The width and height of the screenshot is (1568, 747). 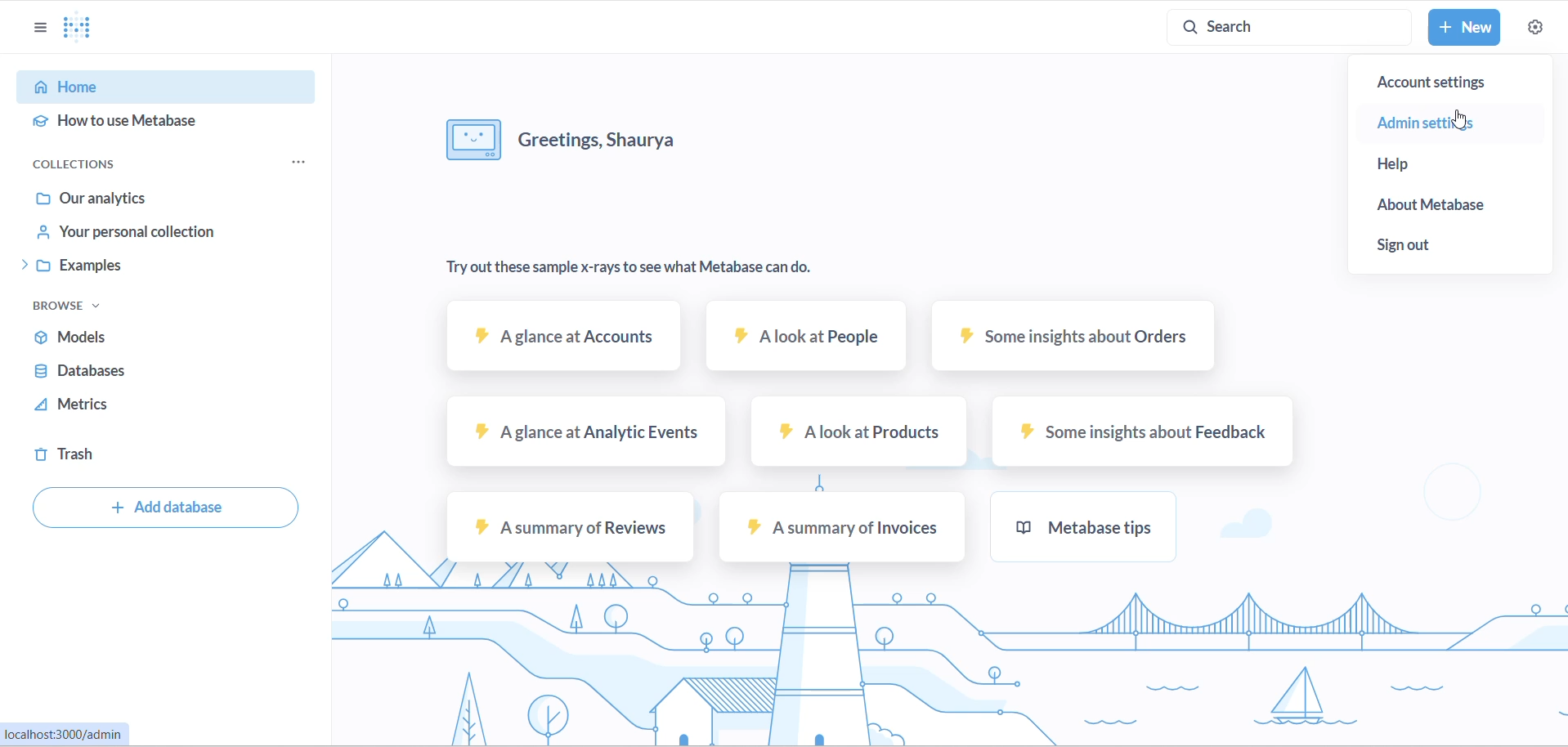 I want to click on new, so click(x=1467, y=27).